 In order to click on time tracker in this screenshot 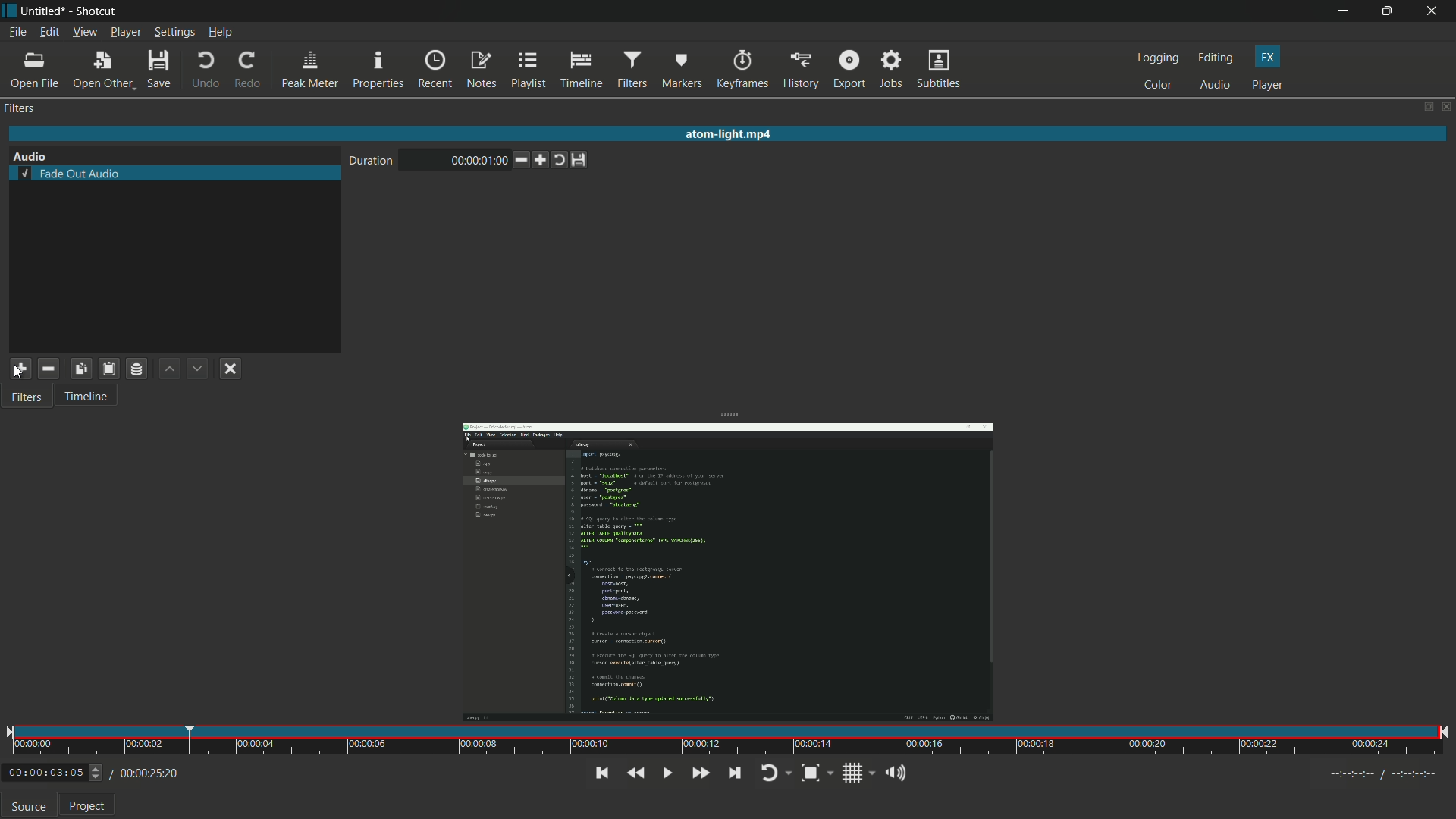, I will do `click(727, 741)`.